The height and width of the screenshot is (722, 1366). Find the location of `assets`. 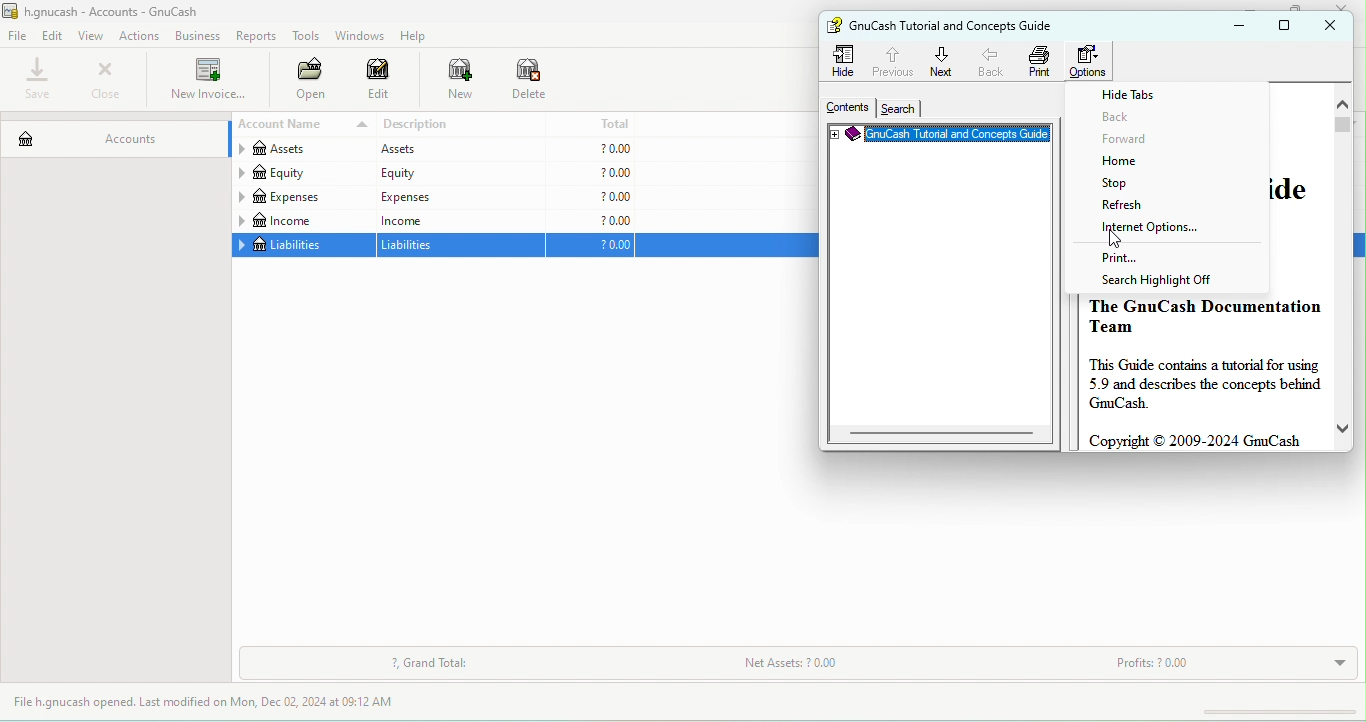

assets is located at coordinates (456, 150).